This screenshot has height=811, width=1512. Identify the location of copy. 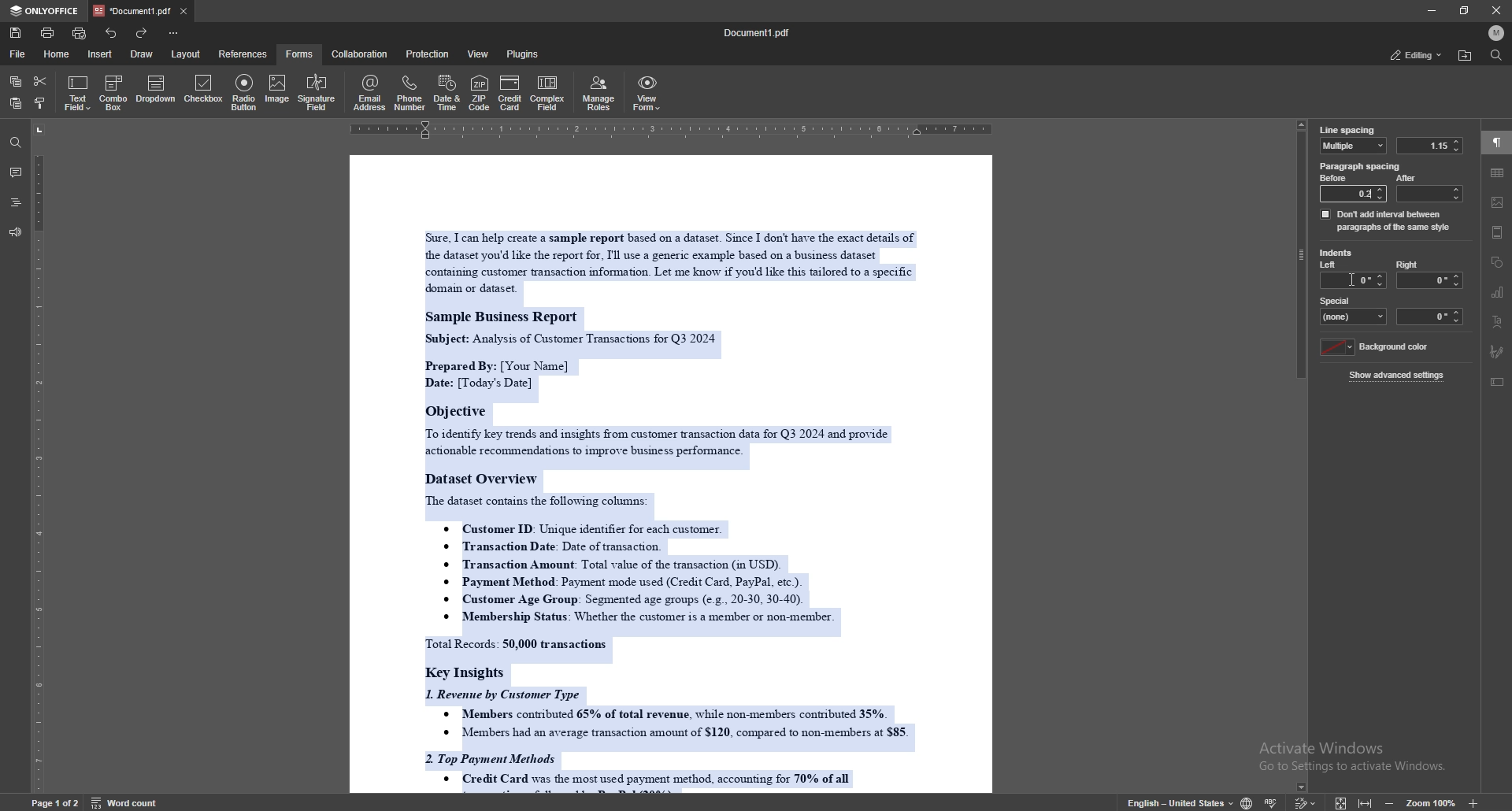
(16, 82).